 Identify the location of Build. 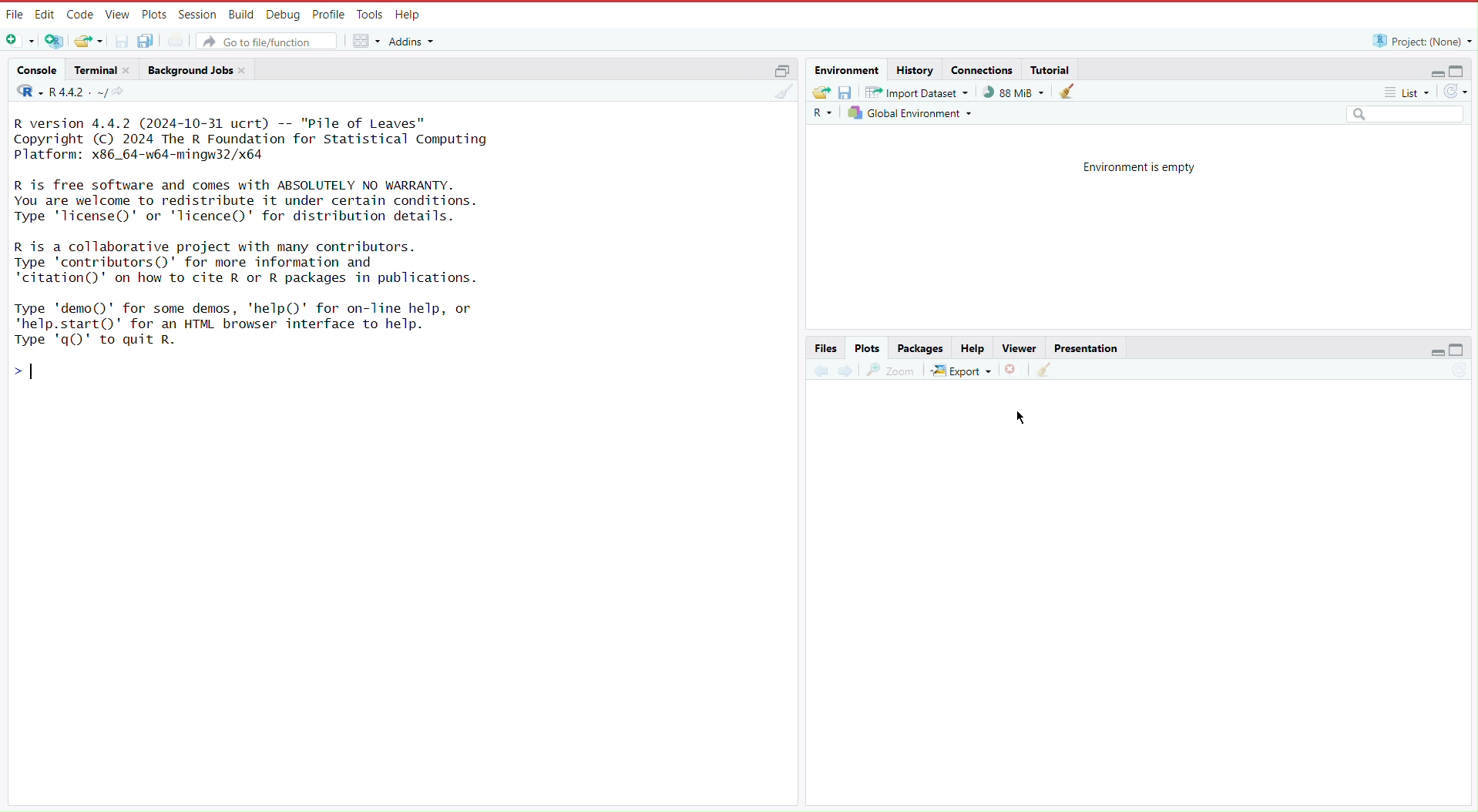
(240, 13).